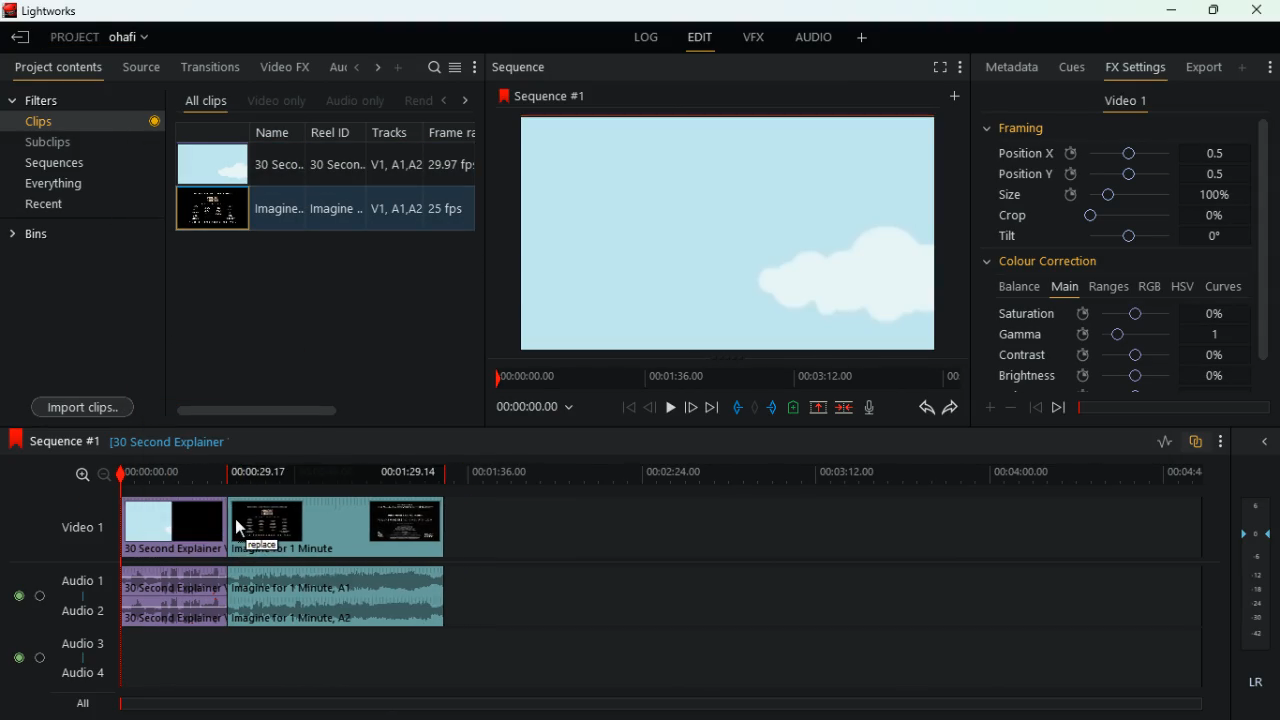 This screenshot has height=720, width=1280. What do you see at coordinates (42, 10) in the screenshot?
I see `lightworks` at bounding box center [42, 10].